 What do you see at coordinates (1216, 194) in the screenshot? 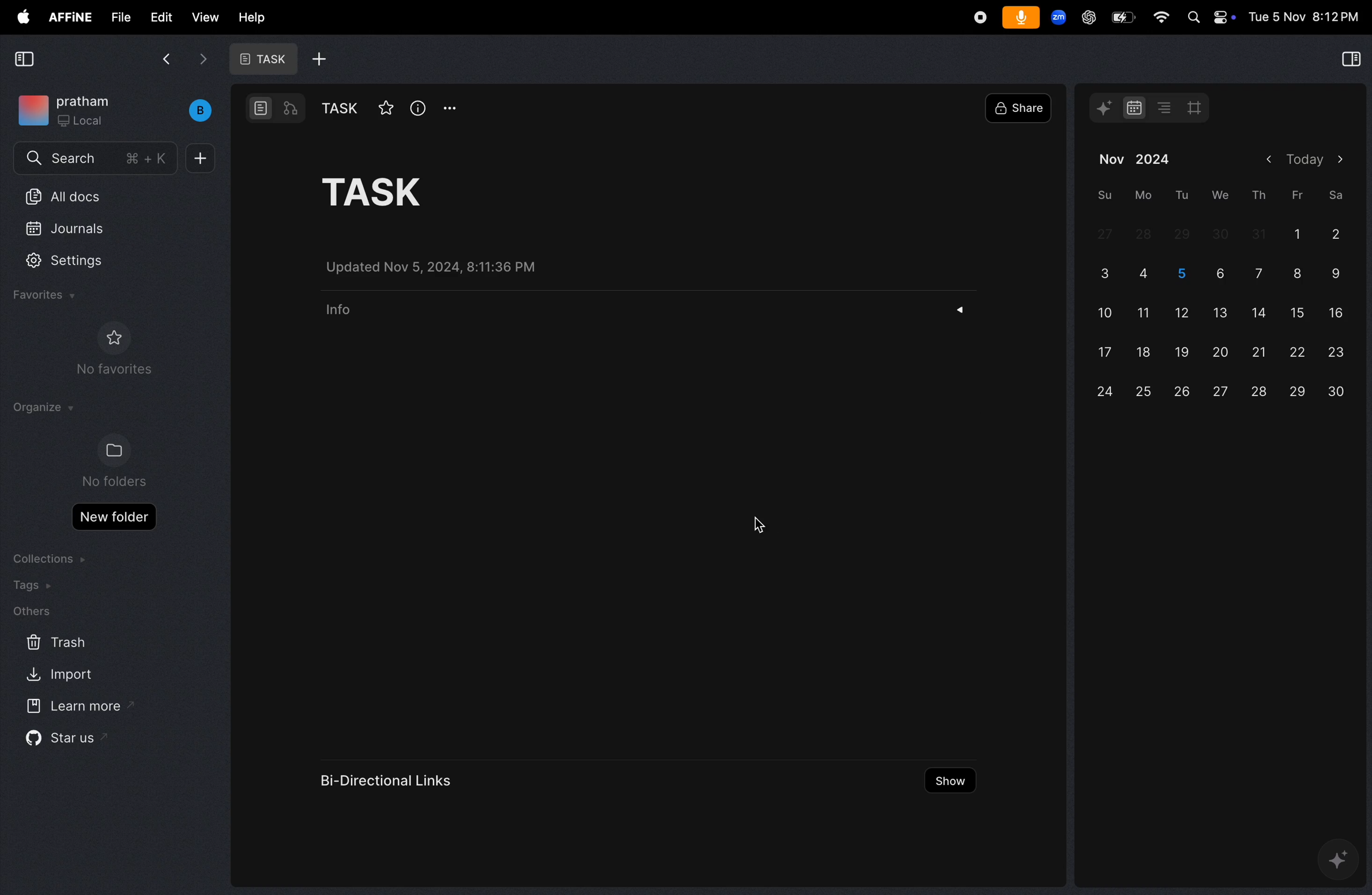
I see `wednesday` at bounding box center [1216, 194].